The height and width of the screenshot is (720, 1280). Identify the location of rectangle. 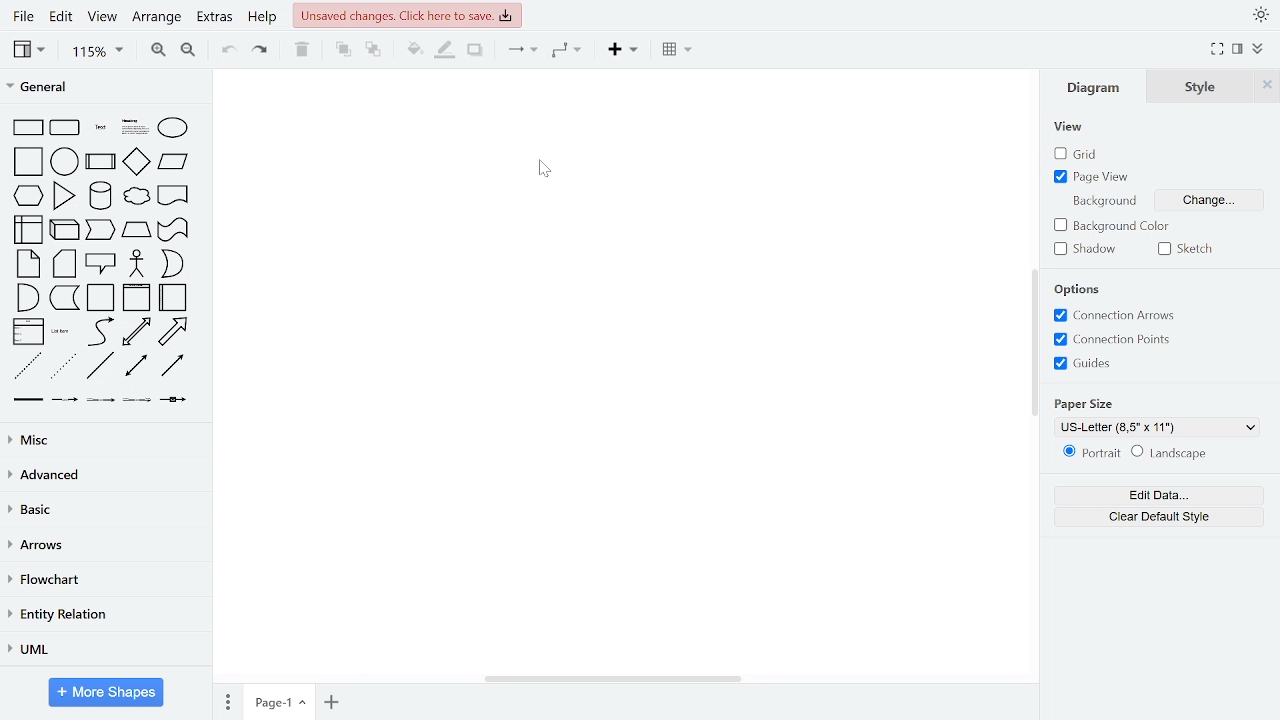
(30, 128).